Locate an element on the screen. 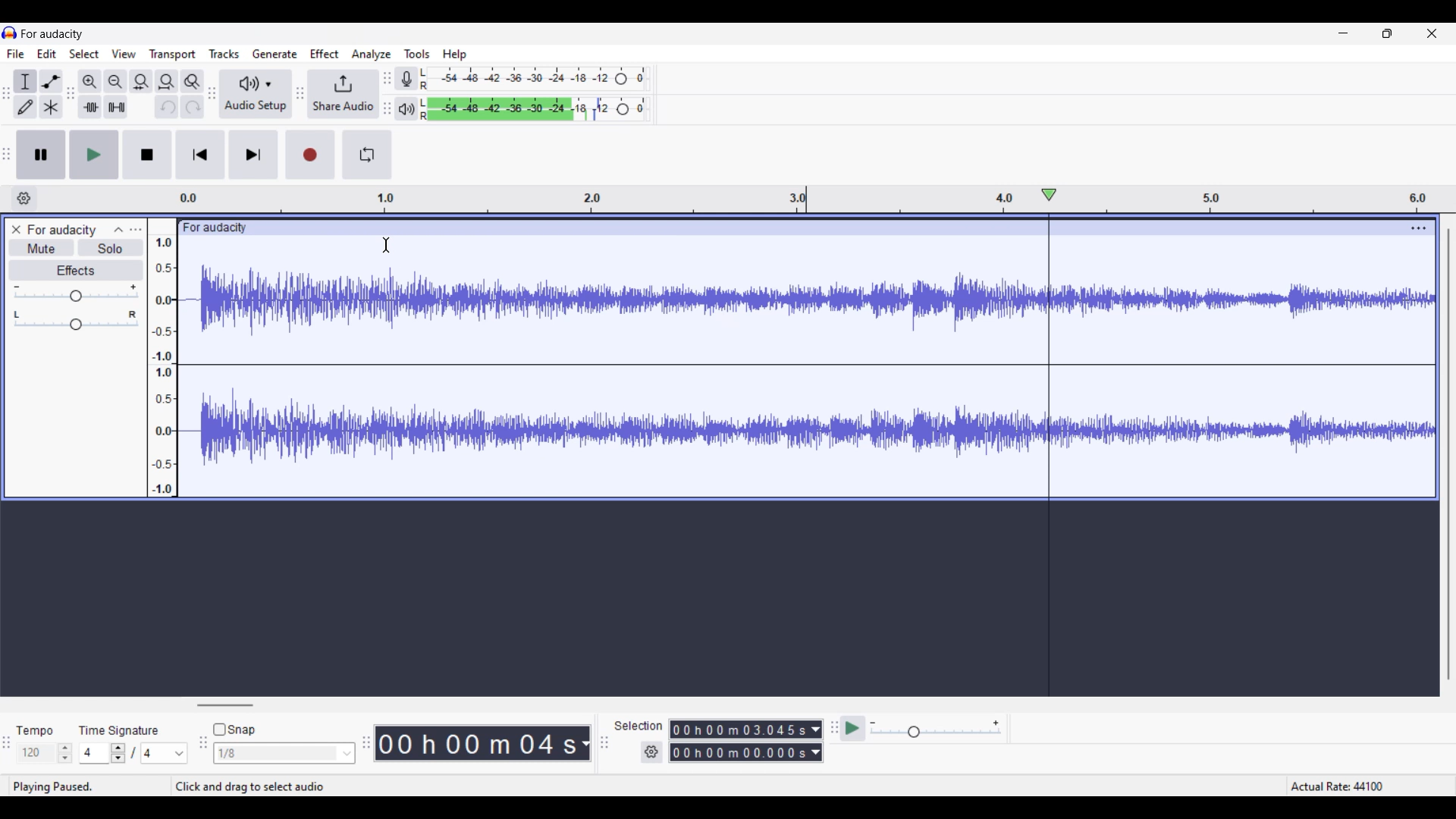  Effects is located at coordinates (75, 270).